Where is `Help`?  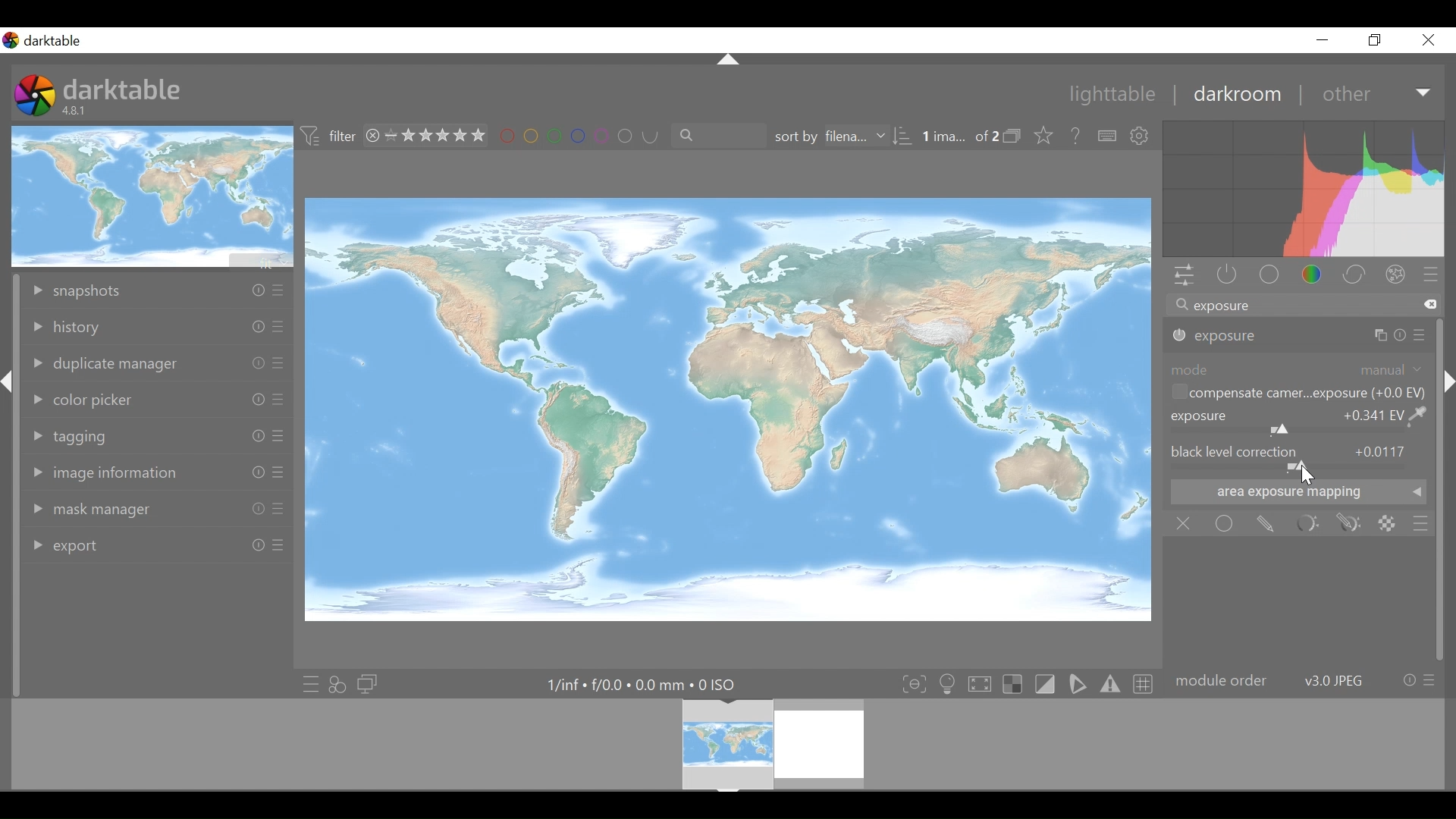 Help is located at coordinates (1075, 134).